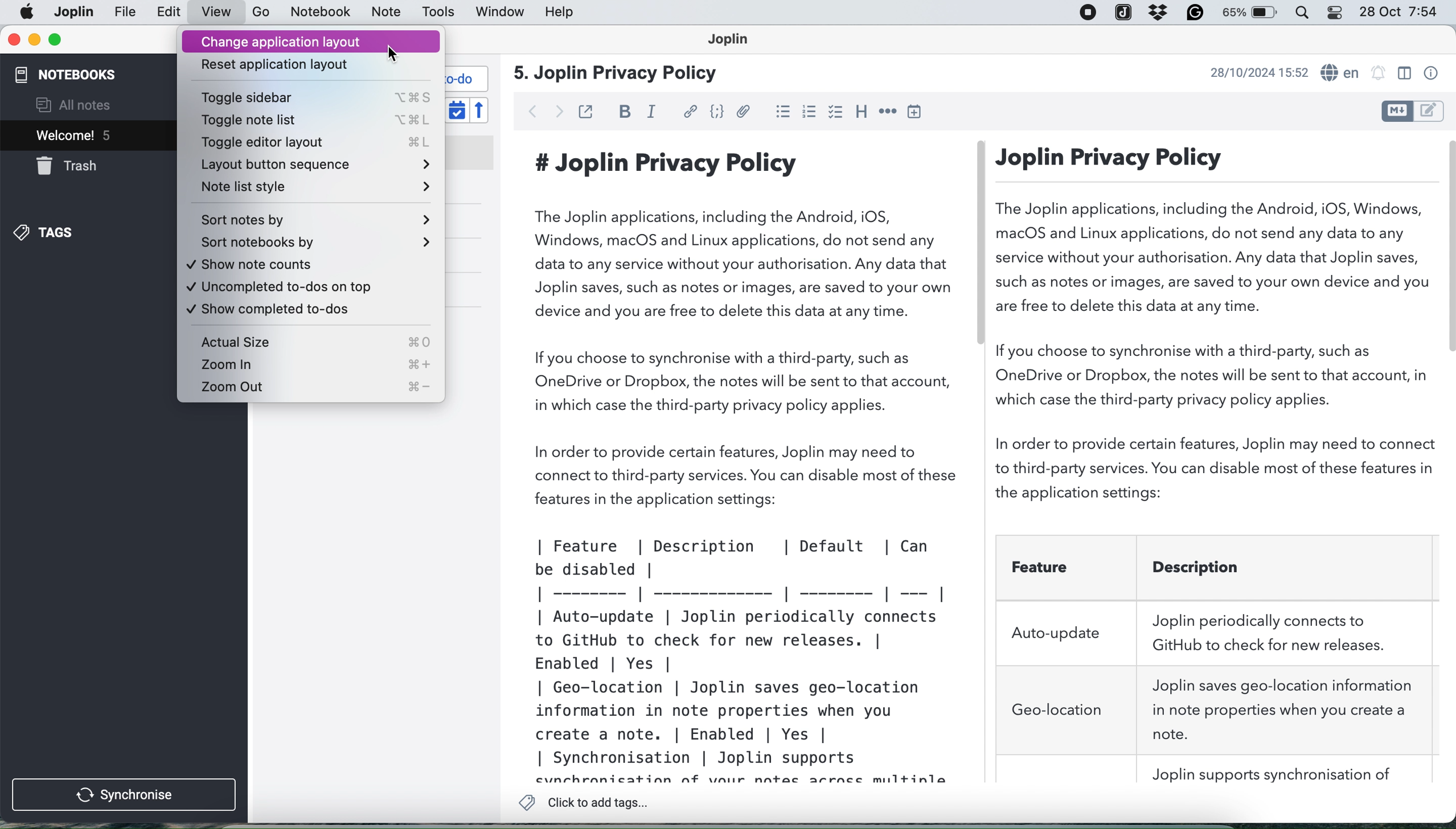  I want to click on  Joplin Privacy Policy The Joplin applications, including the Android, iOS, Windows, macOS and Linux applications, do not send any data to any service without your authorisation. Any data that Joplin saves, such as notes or images, are saved to your own device and you are free to delete this data at any time. If you choose to synchronise with a third-party, such as OneDrive or Dropbox, the notes will be sent to that account, in which case the third-party privacy policy applies. In order to provide certain features, Joplin may need to connect to third-party services. You can disable most of these features in the application settings: Feature Description Joplin periodically connects to Auto-update GitHub to check for new releases. Joplin saves geo-location information Geo-location in note properties when you create a note., so click(1216, 463).